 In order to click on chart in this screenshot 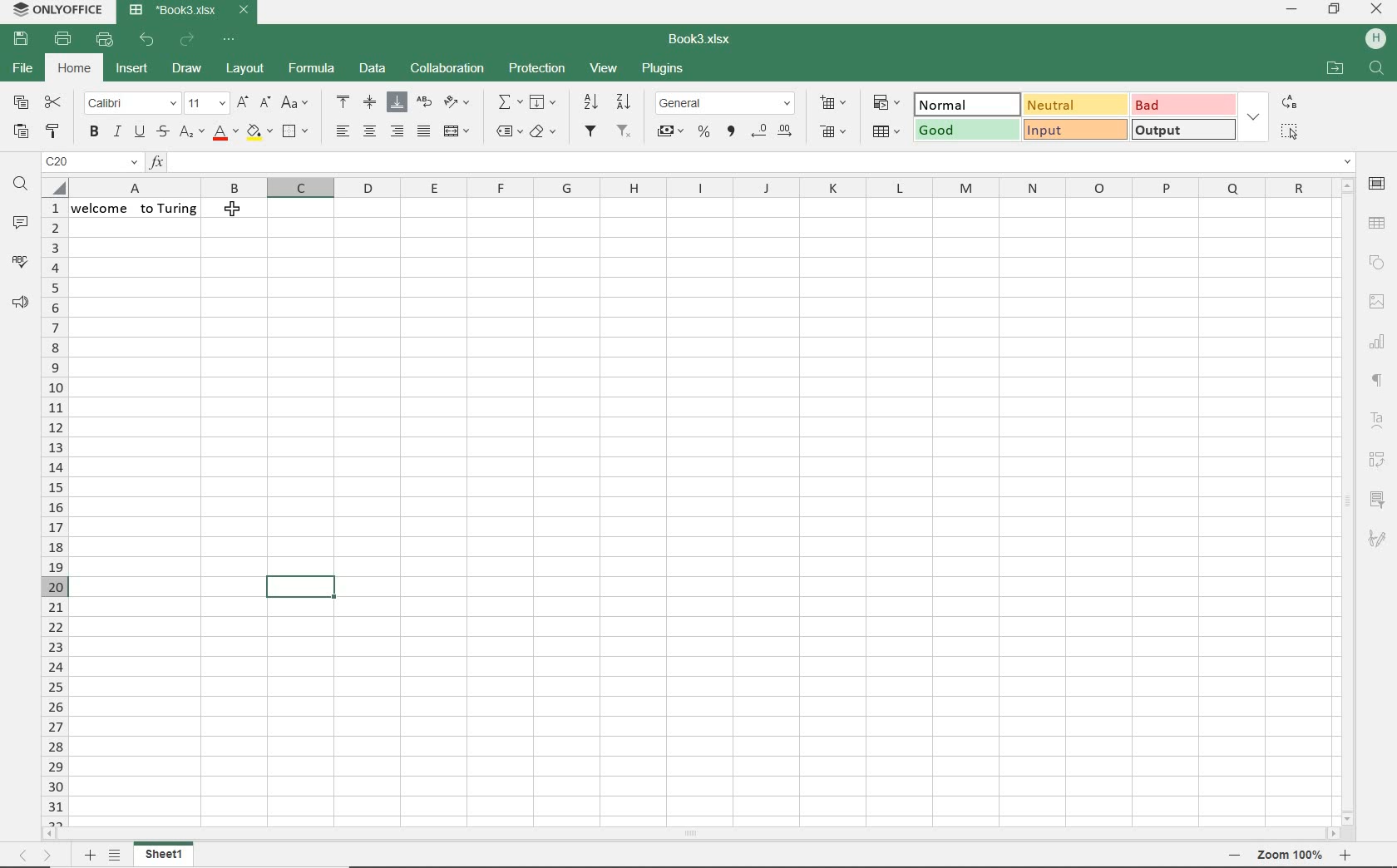, I will do `click(1379, 343)`.